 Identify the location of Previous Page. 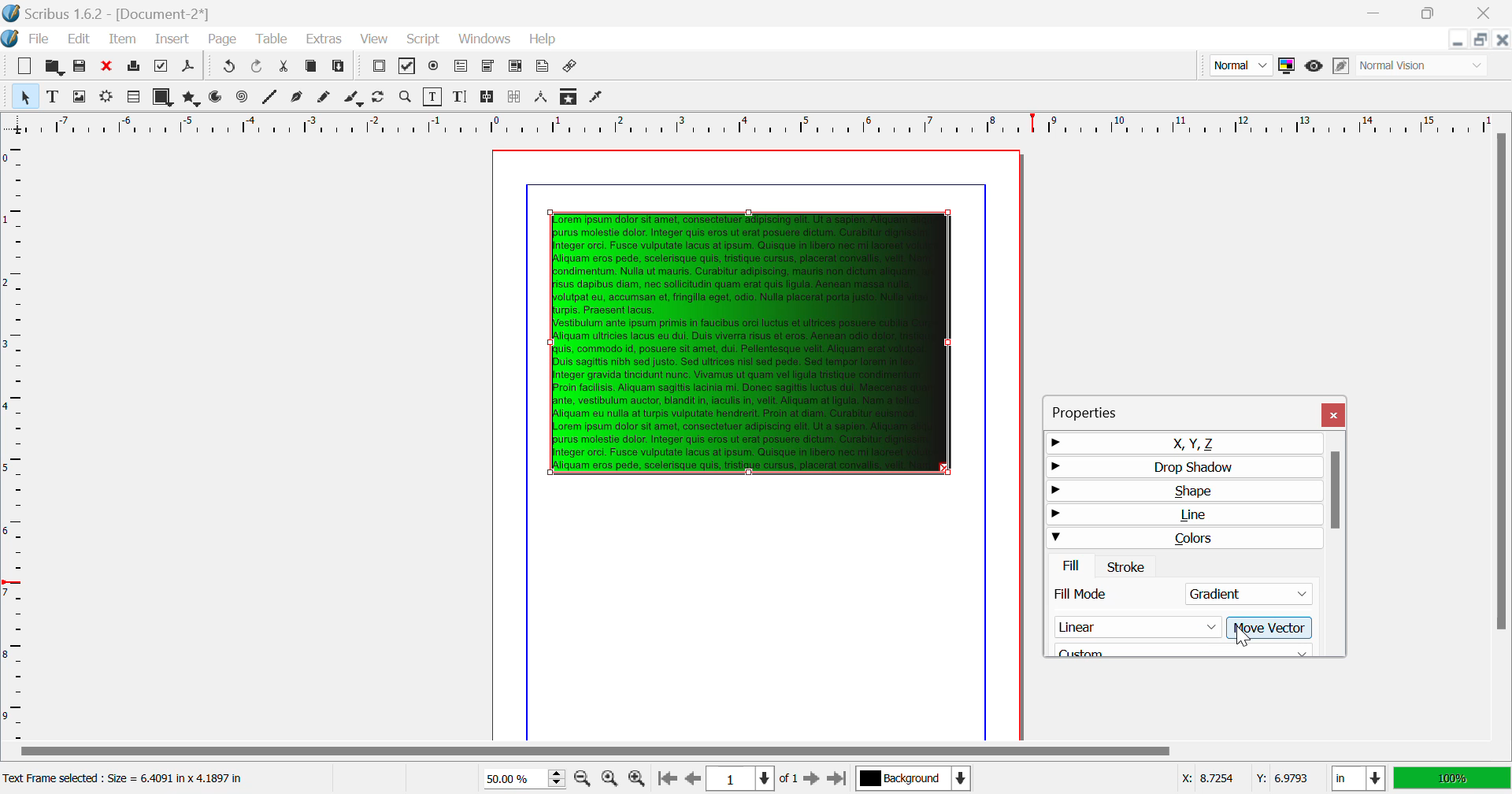
(691, 779).